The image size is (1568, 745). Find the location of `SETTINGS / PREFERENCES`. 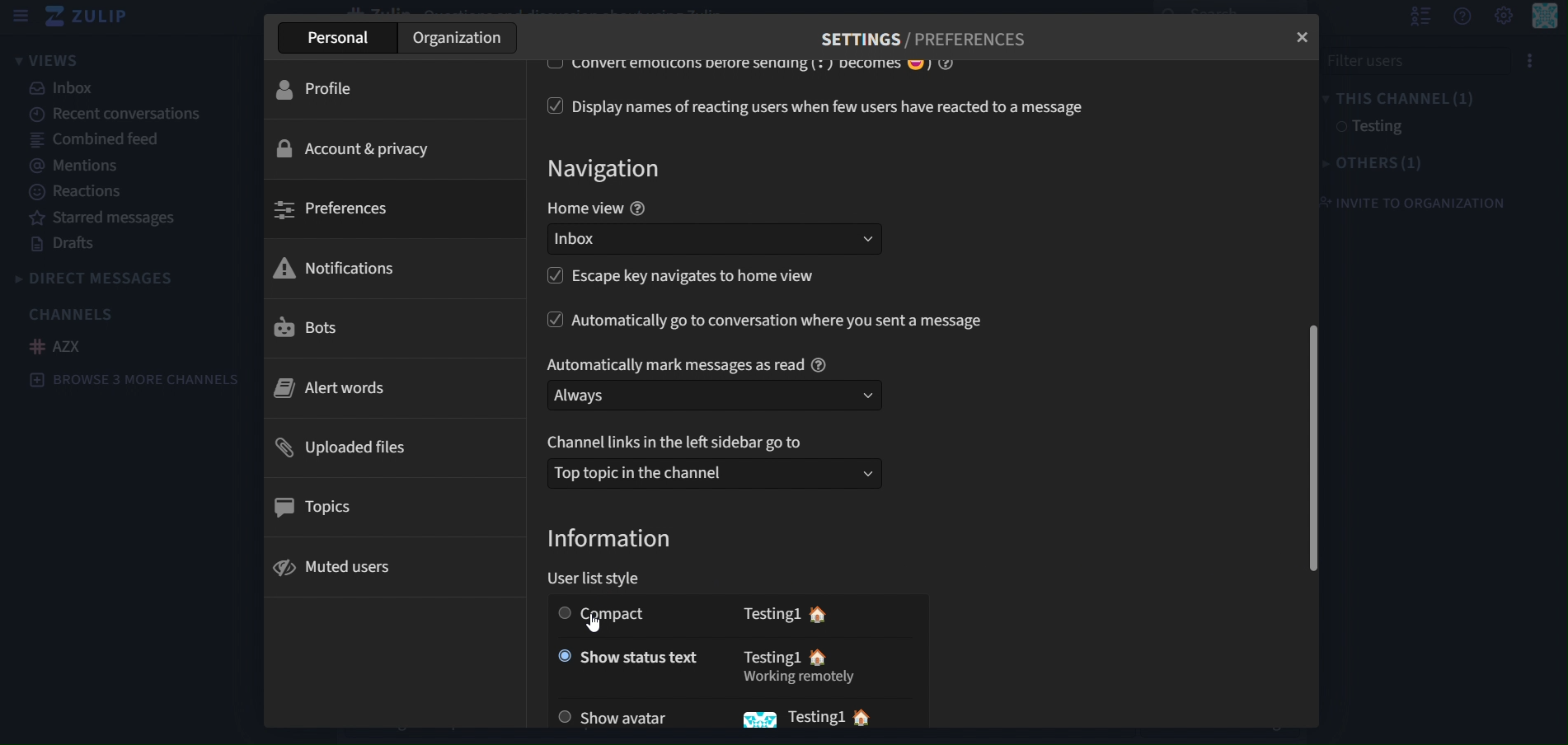

SETTINGS / PREFERENCES is located at coordinates (924, 35).